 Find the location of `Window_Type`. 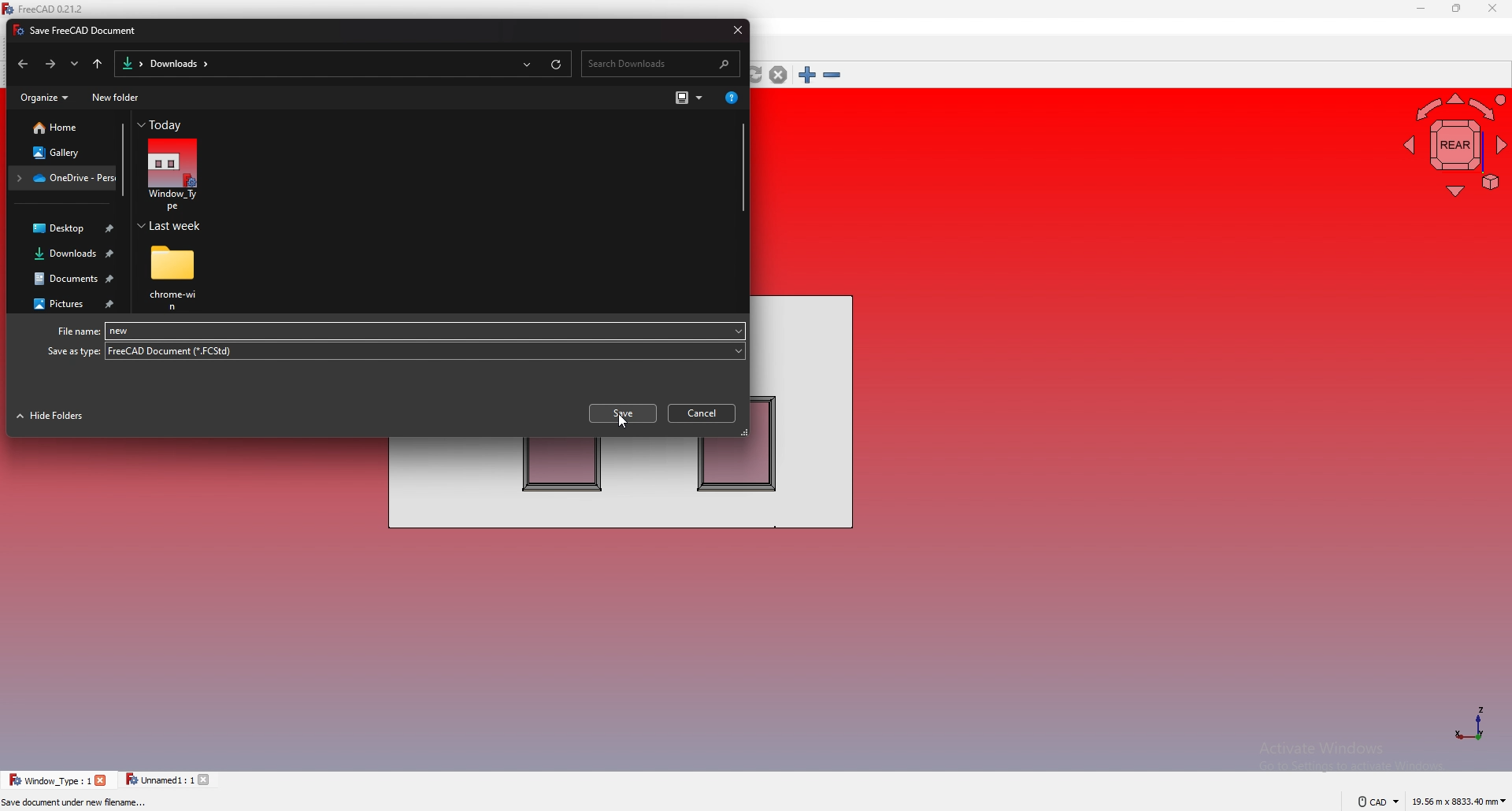

Window_Type is located at coordinates (172, 176).